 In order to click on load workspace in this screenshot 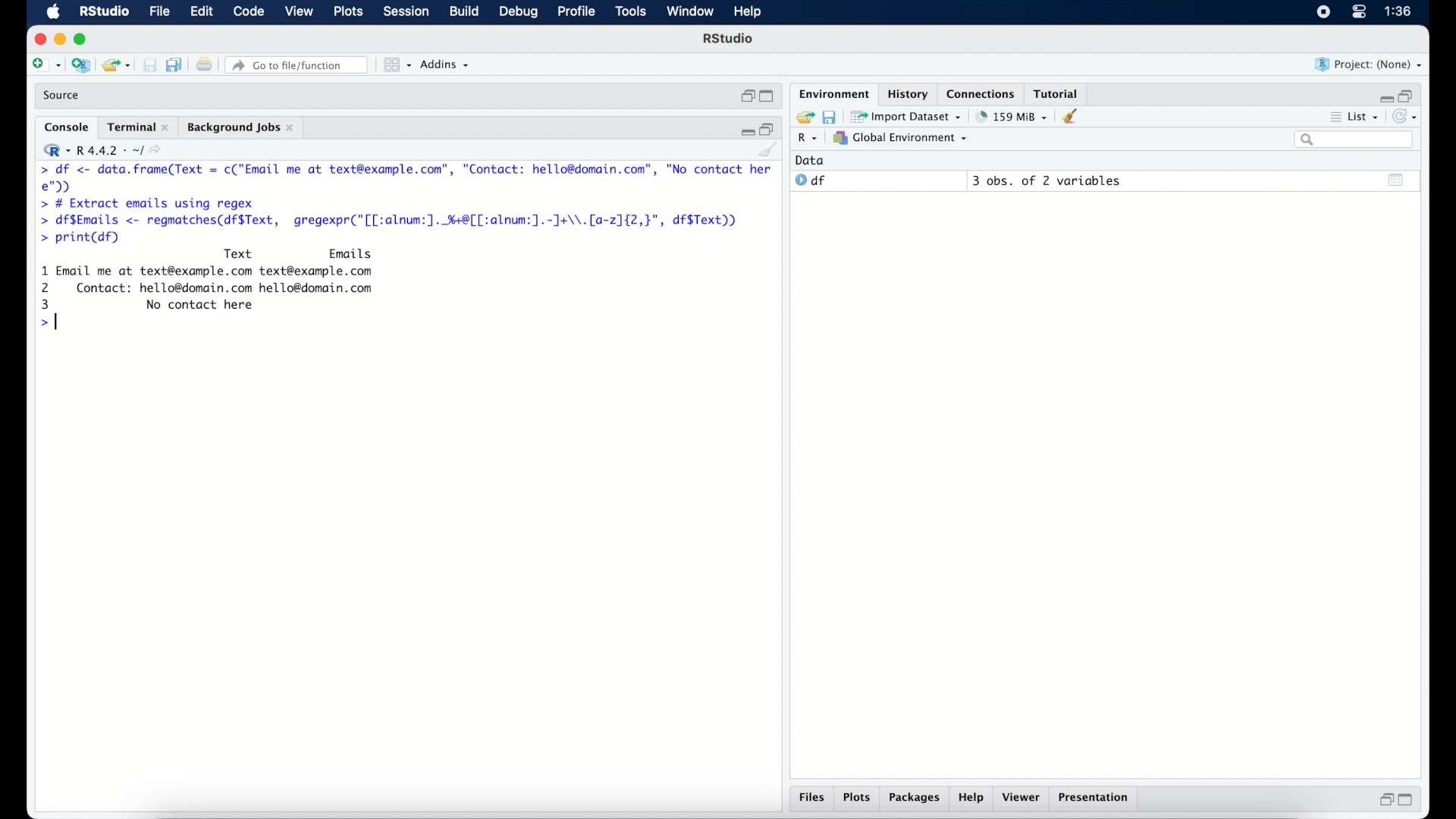, I will do `click(805, 115)`.